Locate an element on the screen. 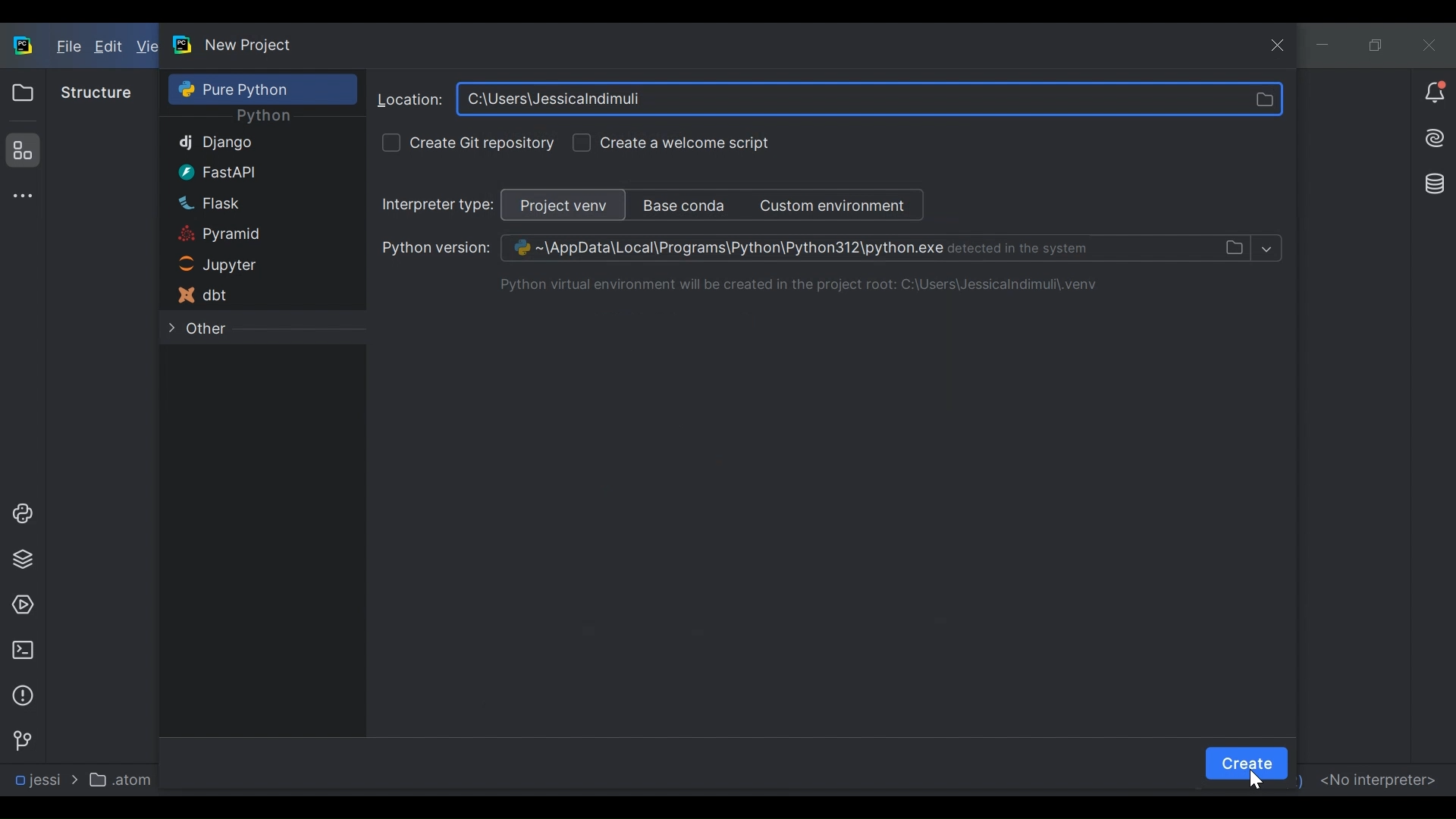 The height and width of the screenshot is (819, 1456). Database is located at coordinates (1431, 182).